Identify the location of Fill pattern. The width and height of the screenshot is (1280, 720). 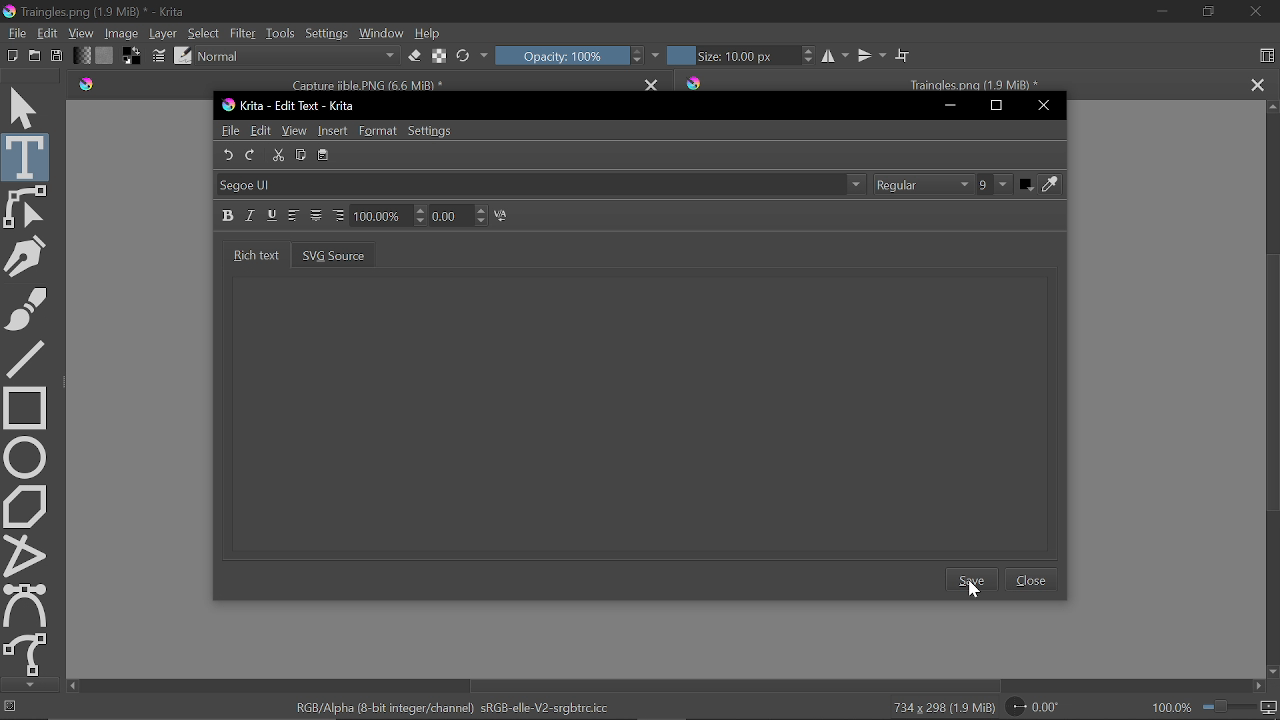
(104, 55).